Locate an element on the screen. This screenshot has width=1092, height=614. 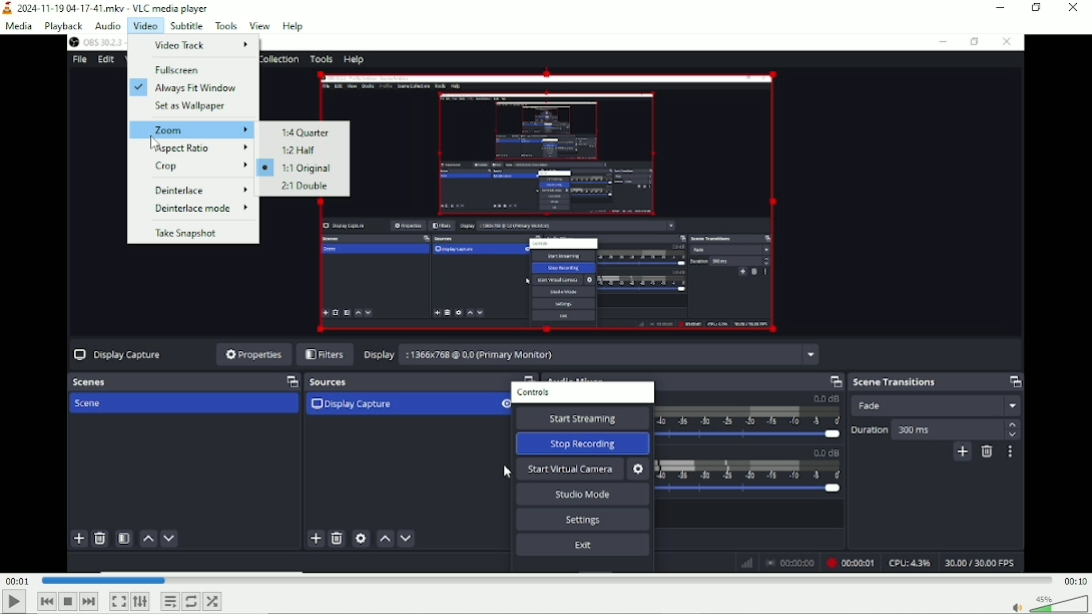
Volume is located at coordinates (1047, 603).